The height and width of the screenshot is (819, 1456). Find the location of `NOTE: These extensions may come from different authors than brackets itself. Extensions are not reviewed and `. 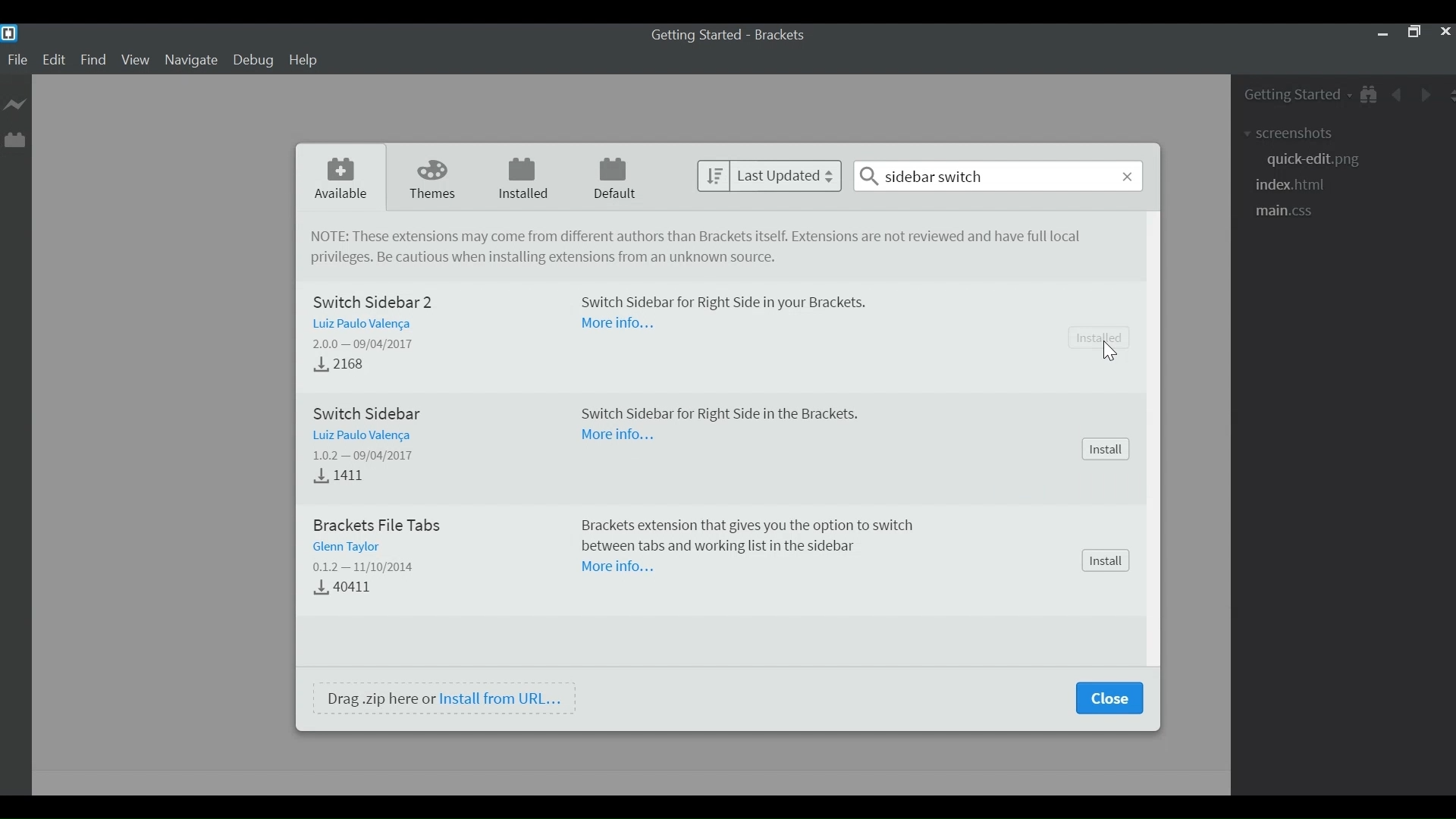

NOTE: These extensions may come from different authors than brackets itself. Extensions are not reviewed and  is located at coordinates (702, 237).